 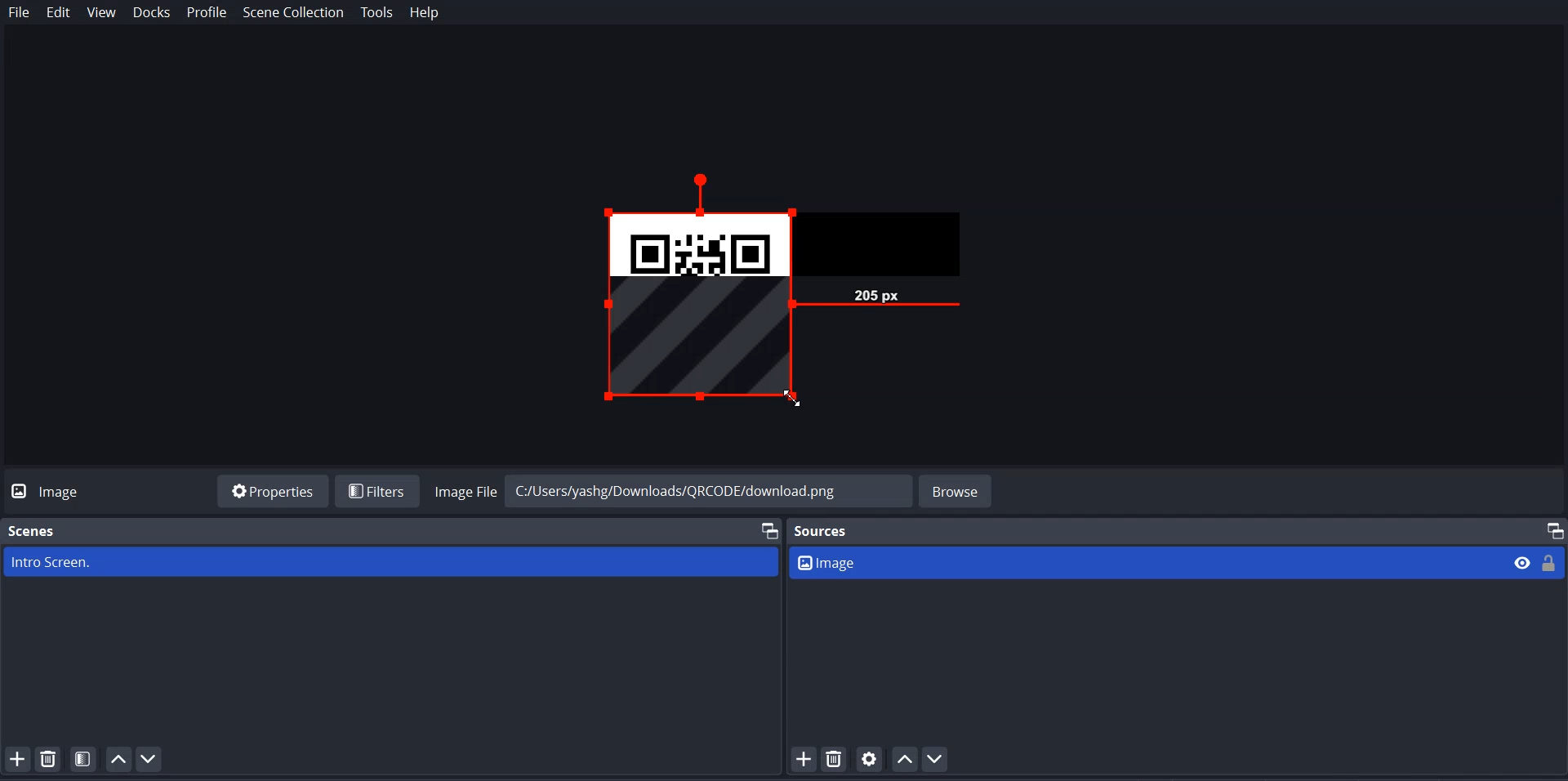 I want to click on Preview Window, so click(x=809, y=293).